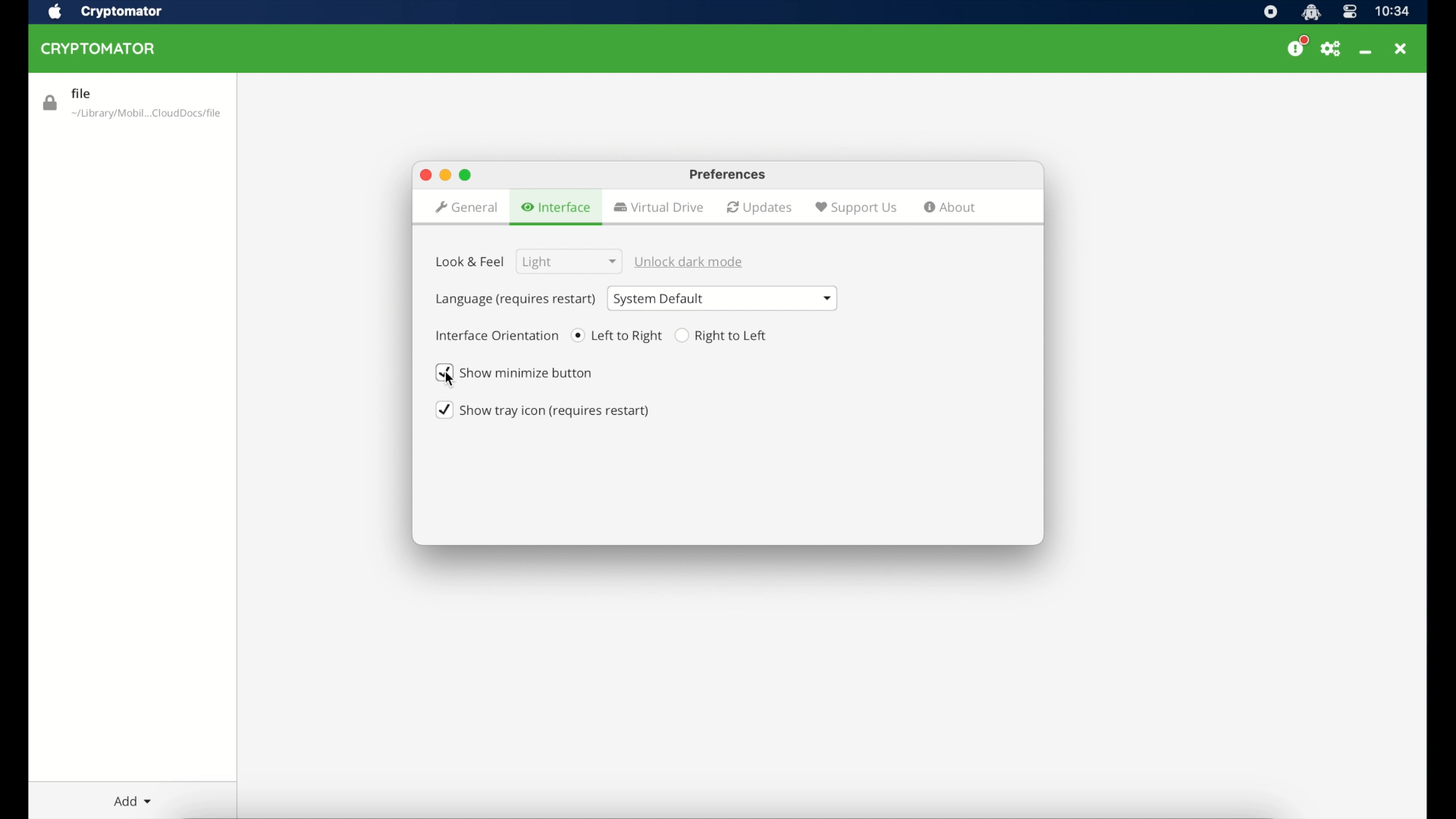 The width and height of the screenshot is (1456, 819). What do you see at coordinates (1311, 12) in the screenshot?
I see `cryptomator icon` at bounding box center [1311, 12].